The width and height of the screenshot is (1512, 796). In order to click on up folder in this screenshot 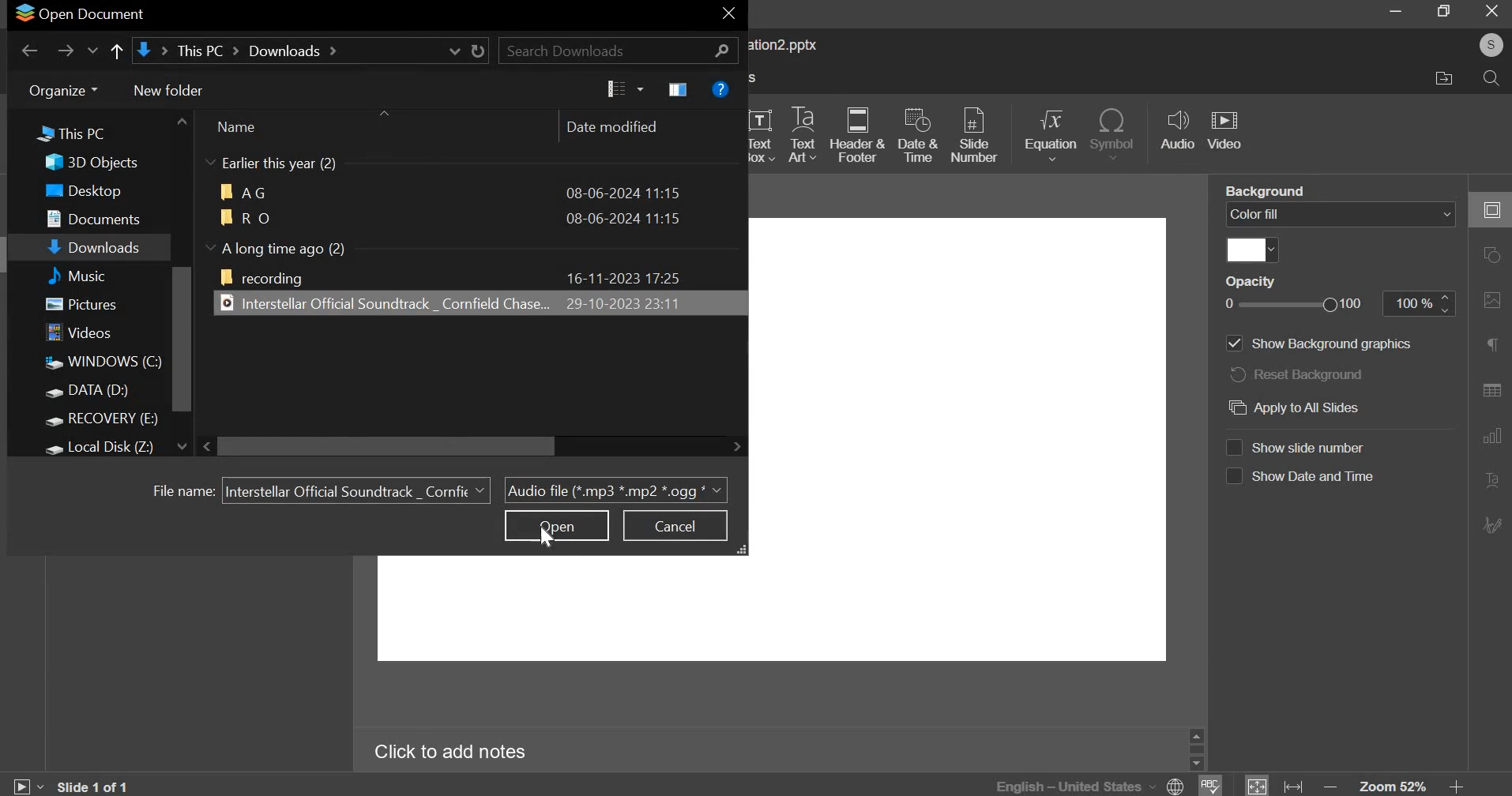, I will do `click(117, 51)`.